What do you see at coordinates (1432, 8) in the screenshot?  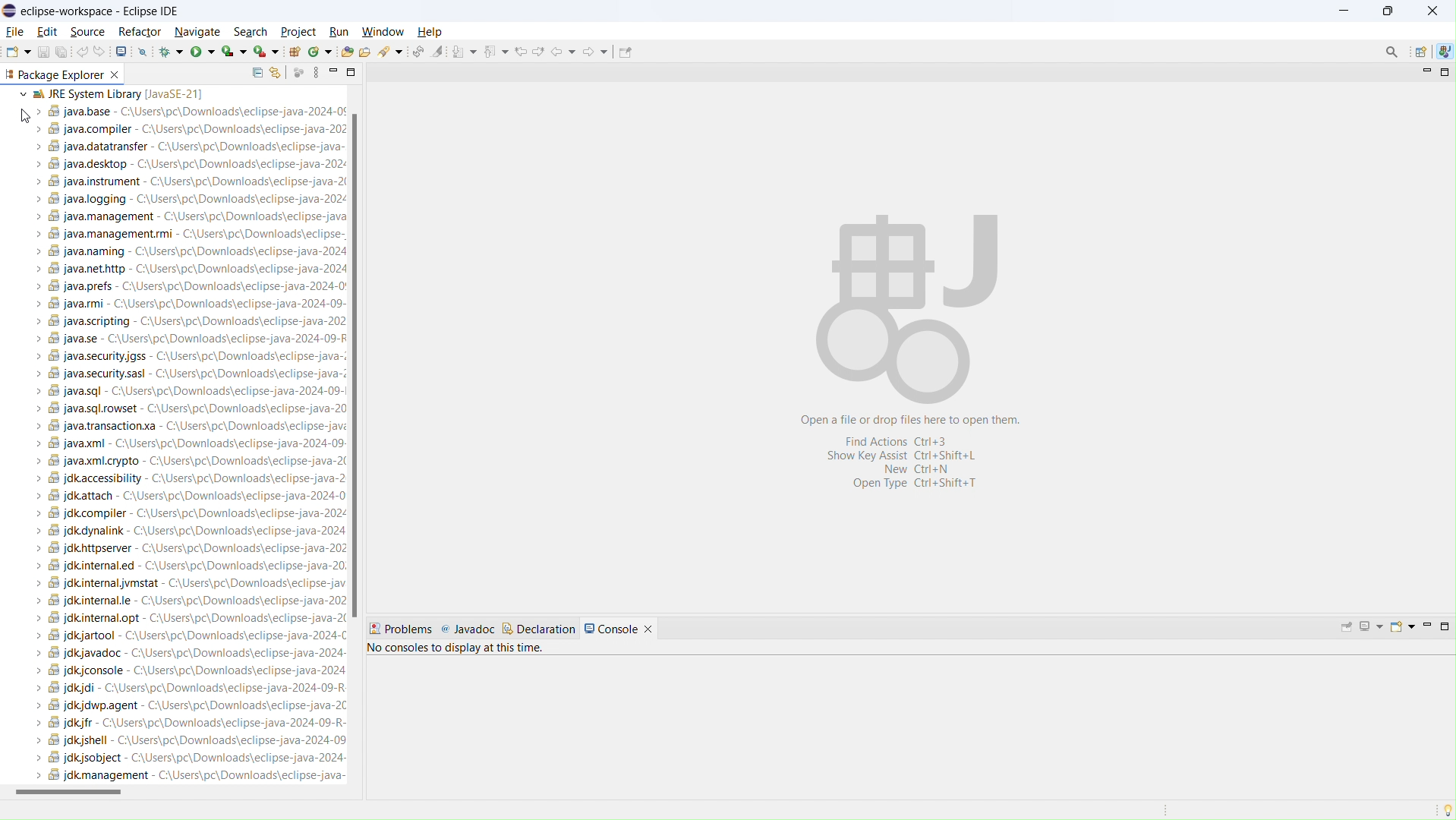 I see `close` at bounding box center [1432, 8].